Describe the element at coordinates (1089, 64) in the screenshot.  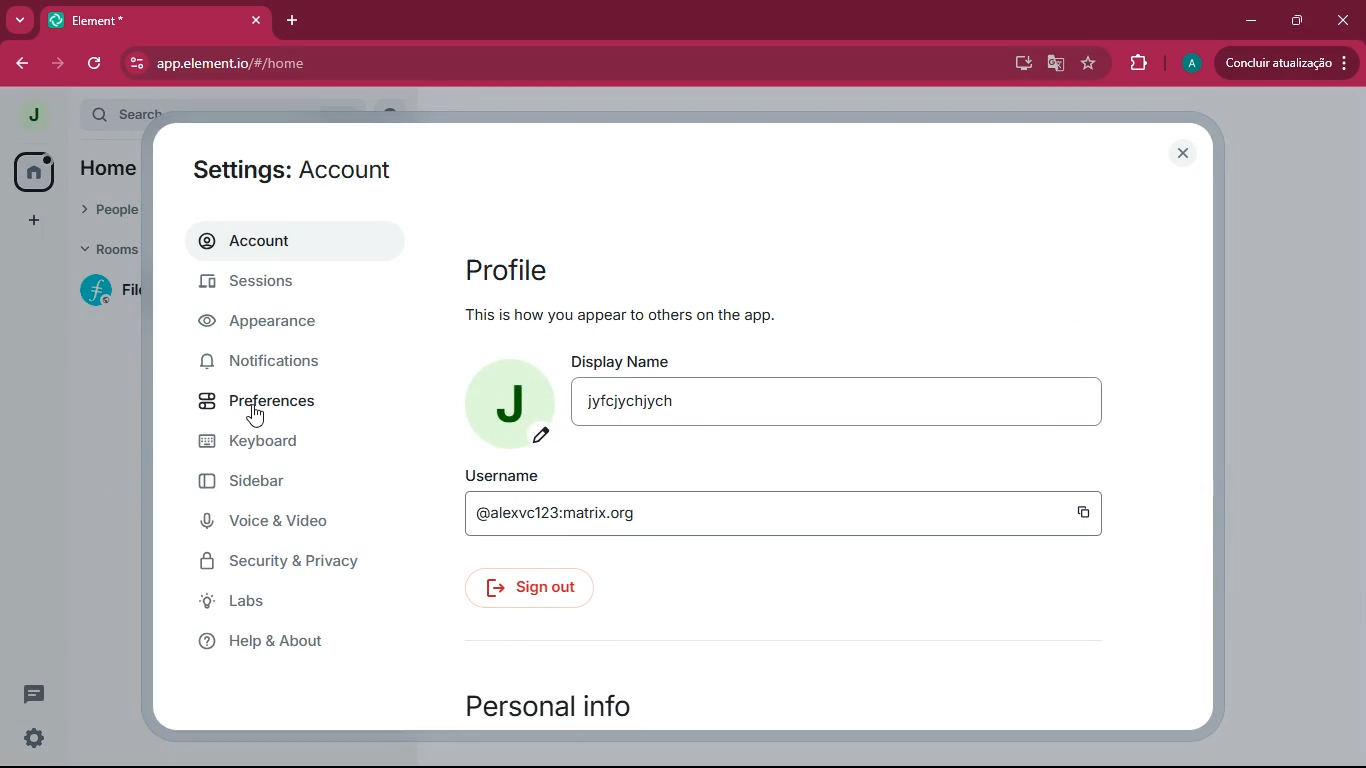
I see `favourite` at that location.